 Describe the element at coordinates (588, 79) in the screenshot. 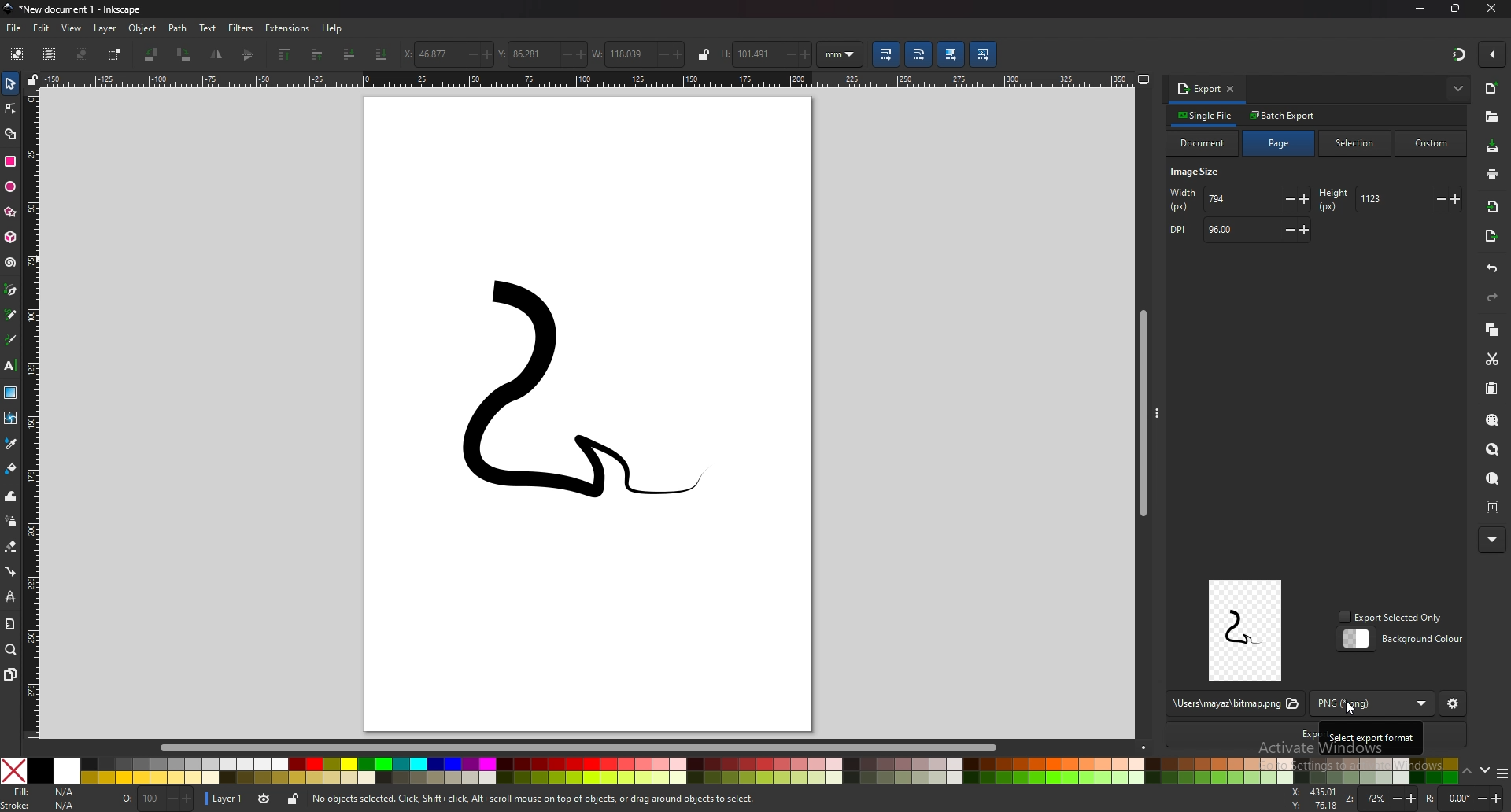

I see `horizontal scale` at that location.